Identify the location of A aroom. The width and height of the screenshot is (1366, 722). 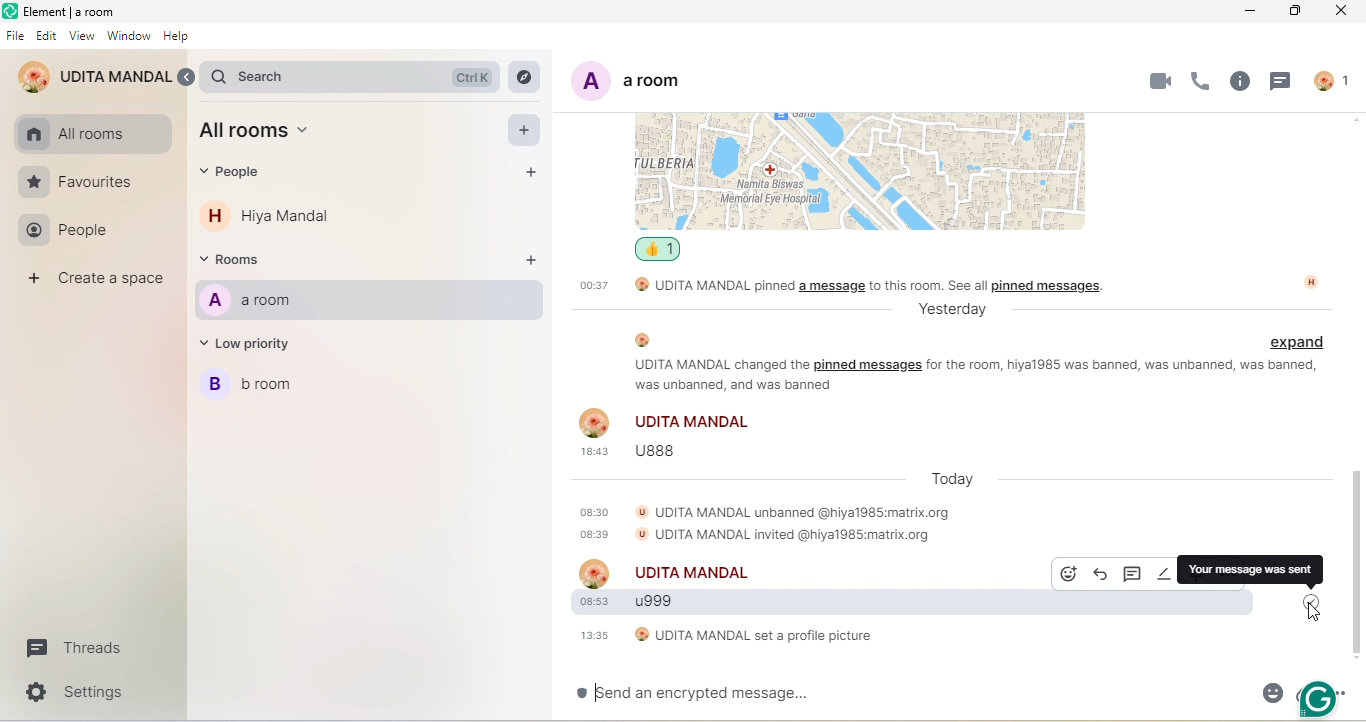
(260, 302).